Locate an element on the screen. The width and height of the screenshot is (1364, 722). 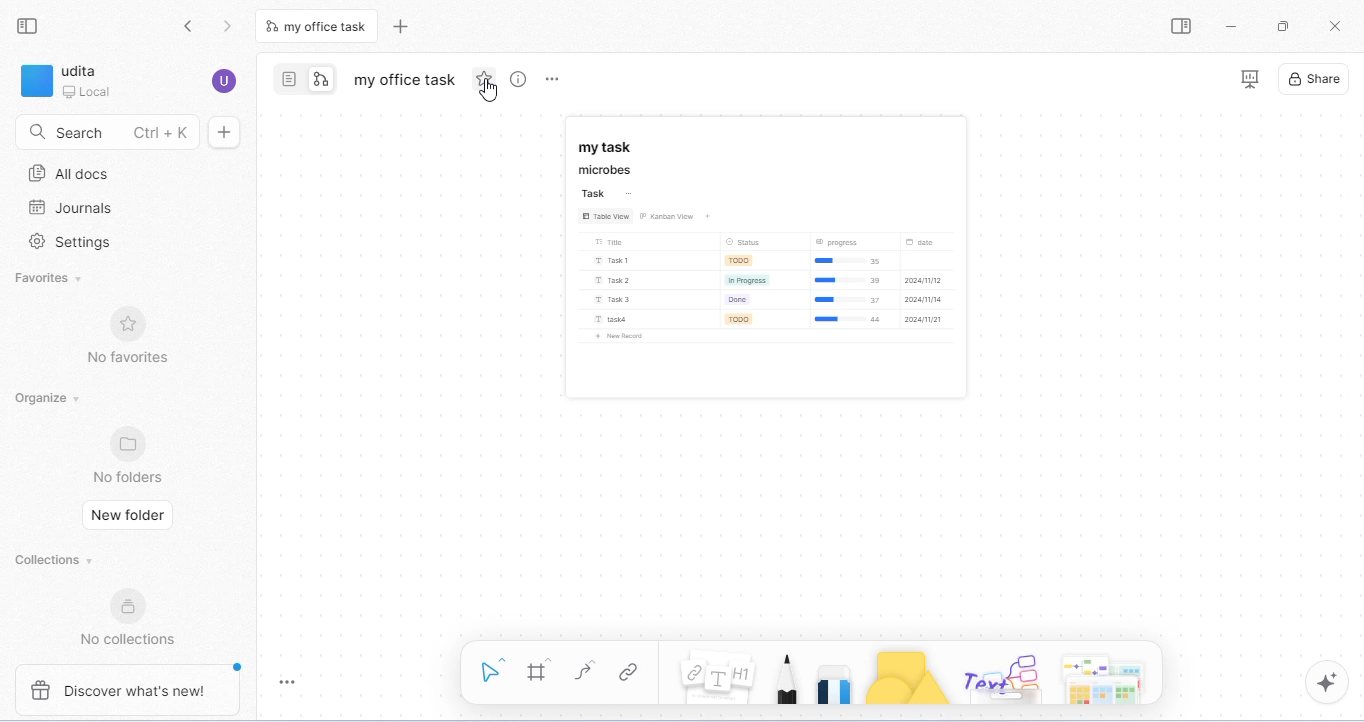
maximize is located at coordinates (1284, 26).